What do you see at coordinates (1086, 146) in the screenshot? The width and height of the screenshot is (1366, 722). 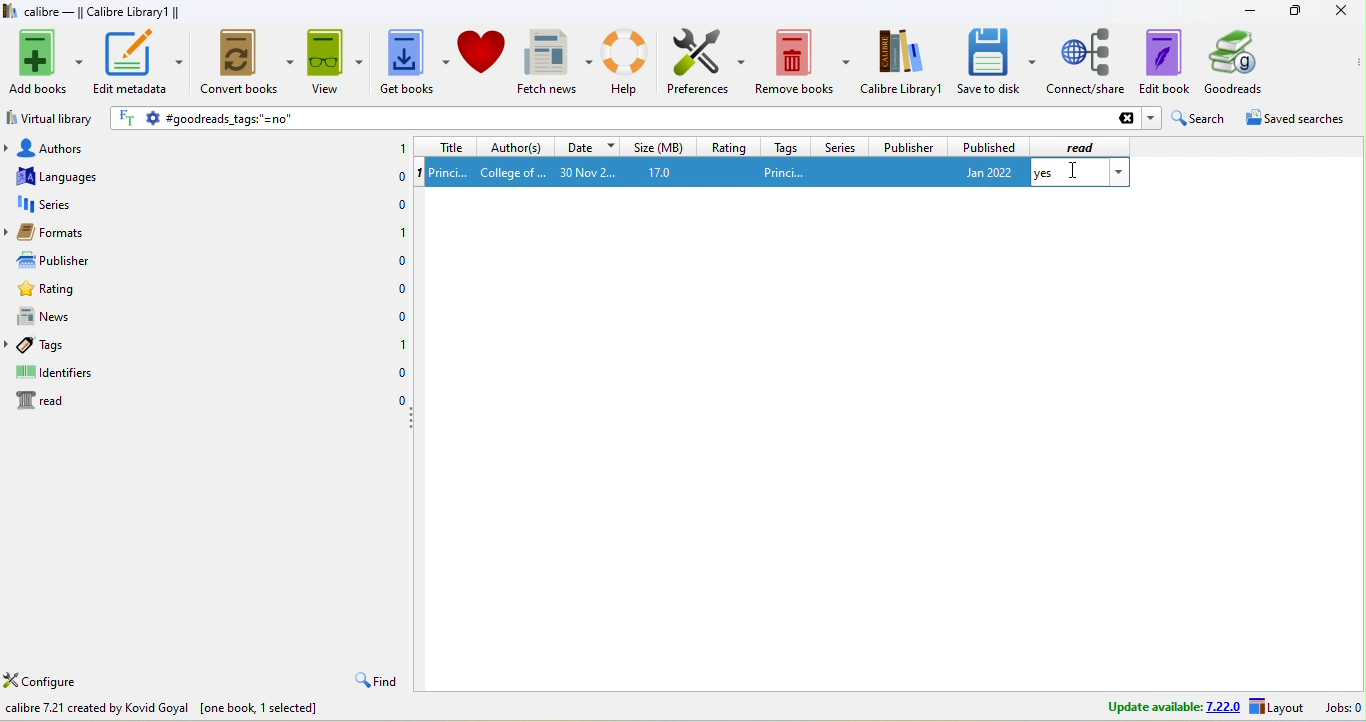 I see `read` at bounding box center [1086, 146].